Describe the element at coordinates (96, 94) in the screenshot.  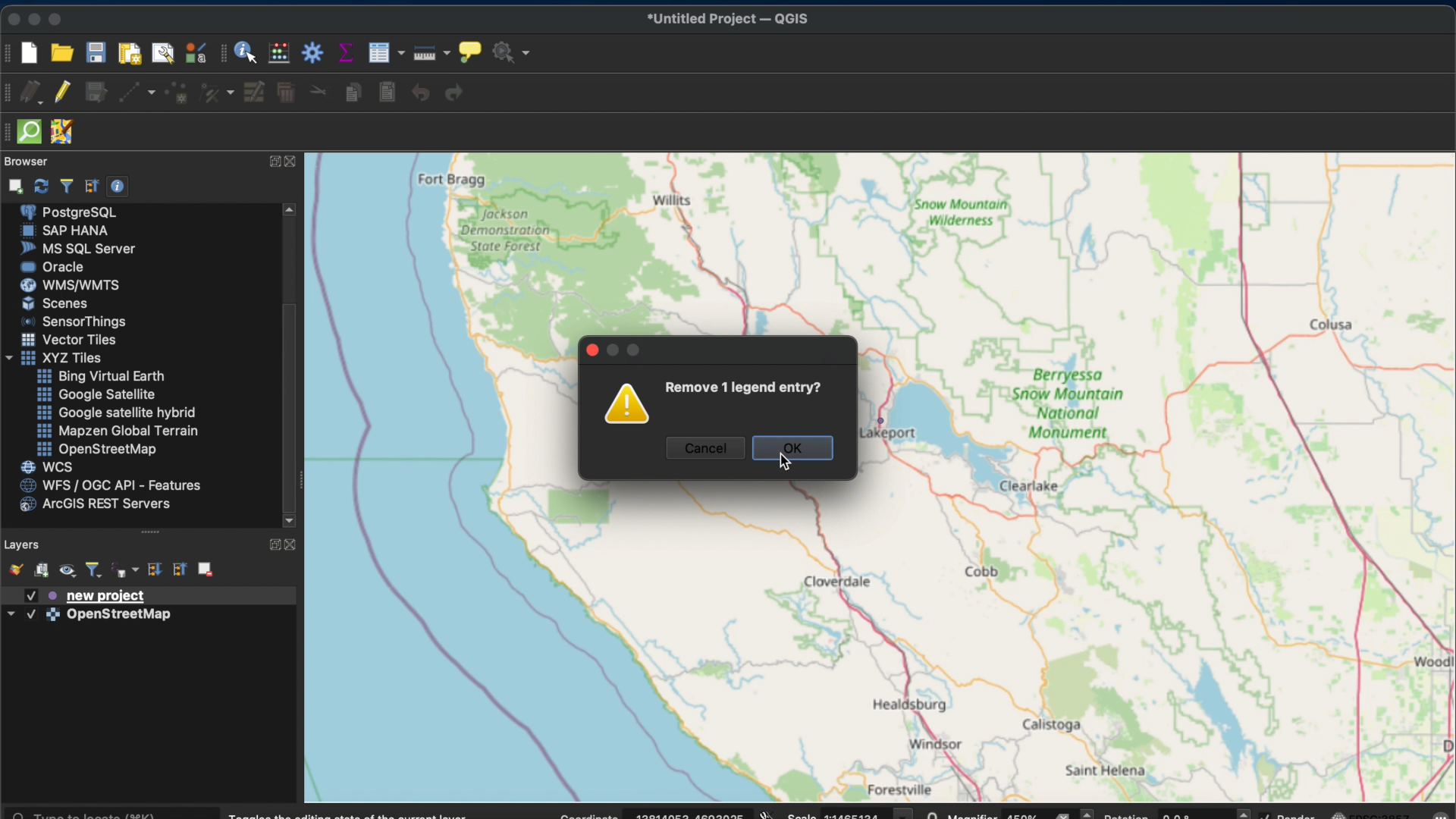
I see `save edits` at that location.